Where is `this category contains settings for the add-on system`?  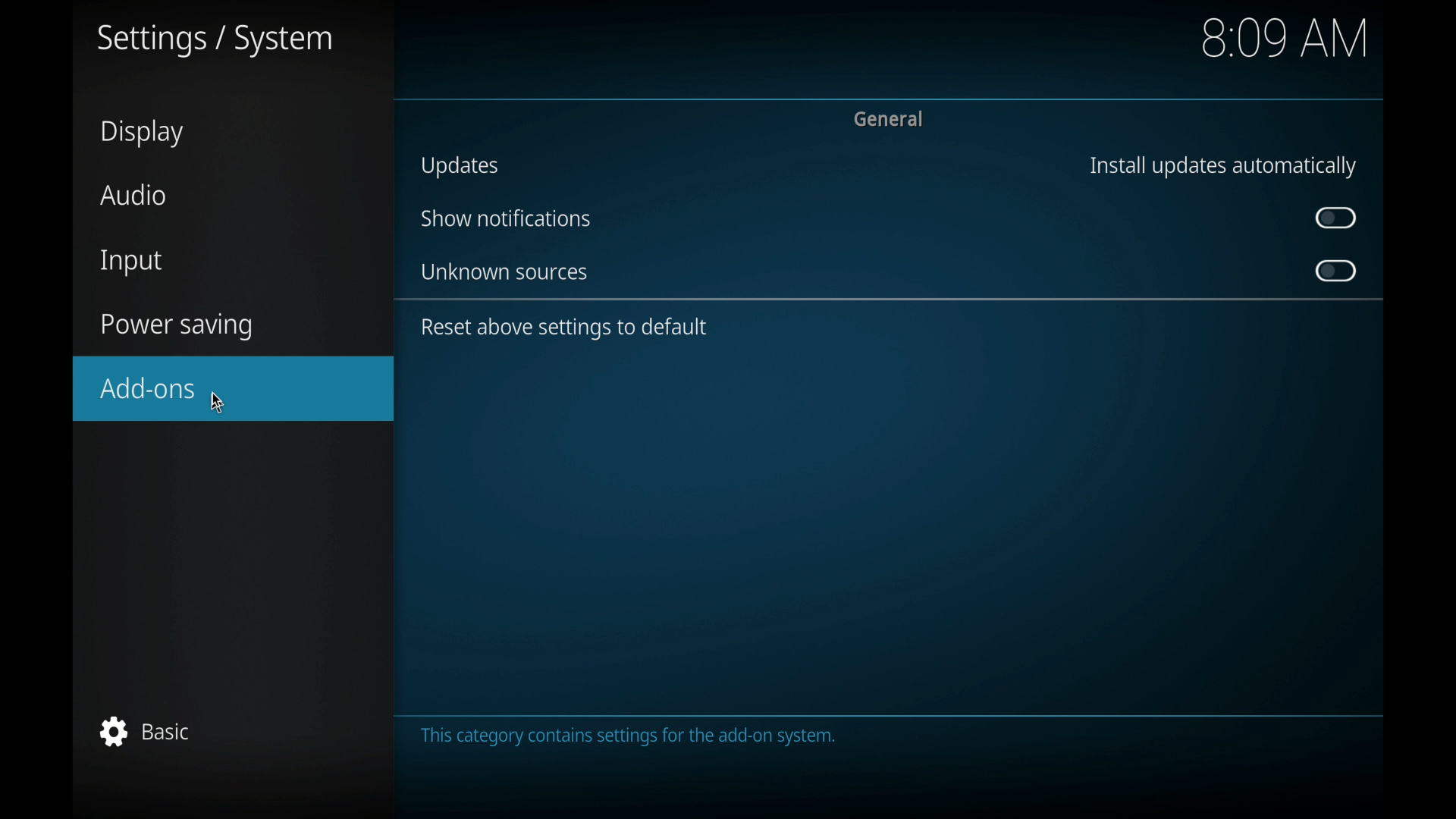 this category contains settings for the add-on system is located at coordinates (627, 737).